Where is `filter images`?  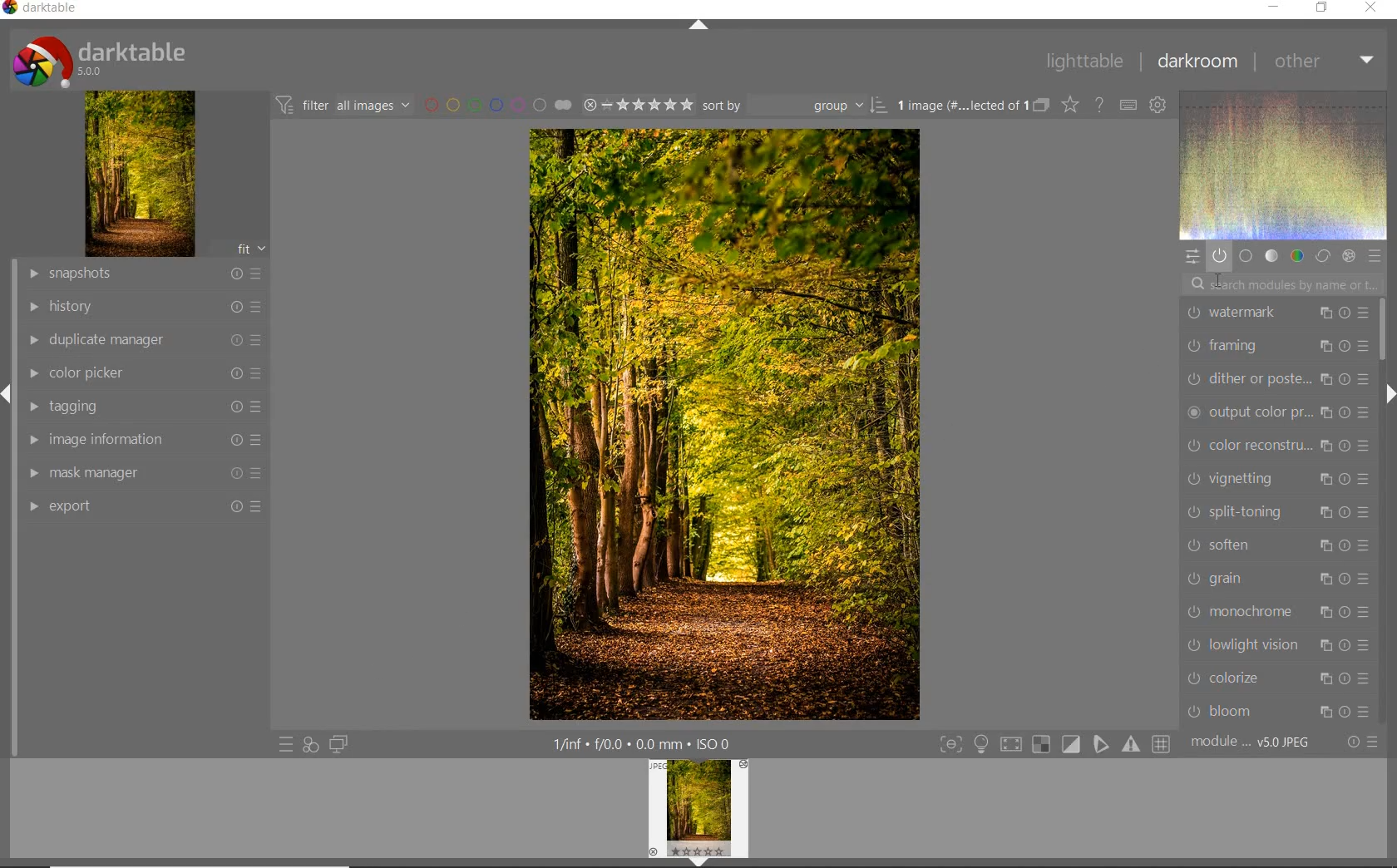 filter images is located at coordinates (342, 106).